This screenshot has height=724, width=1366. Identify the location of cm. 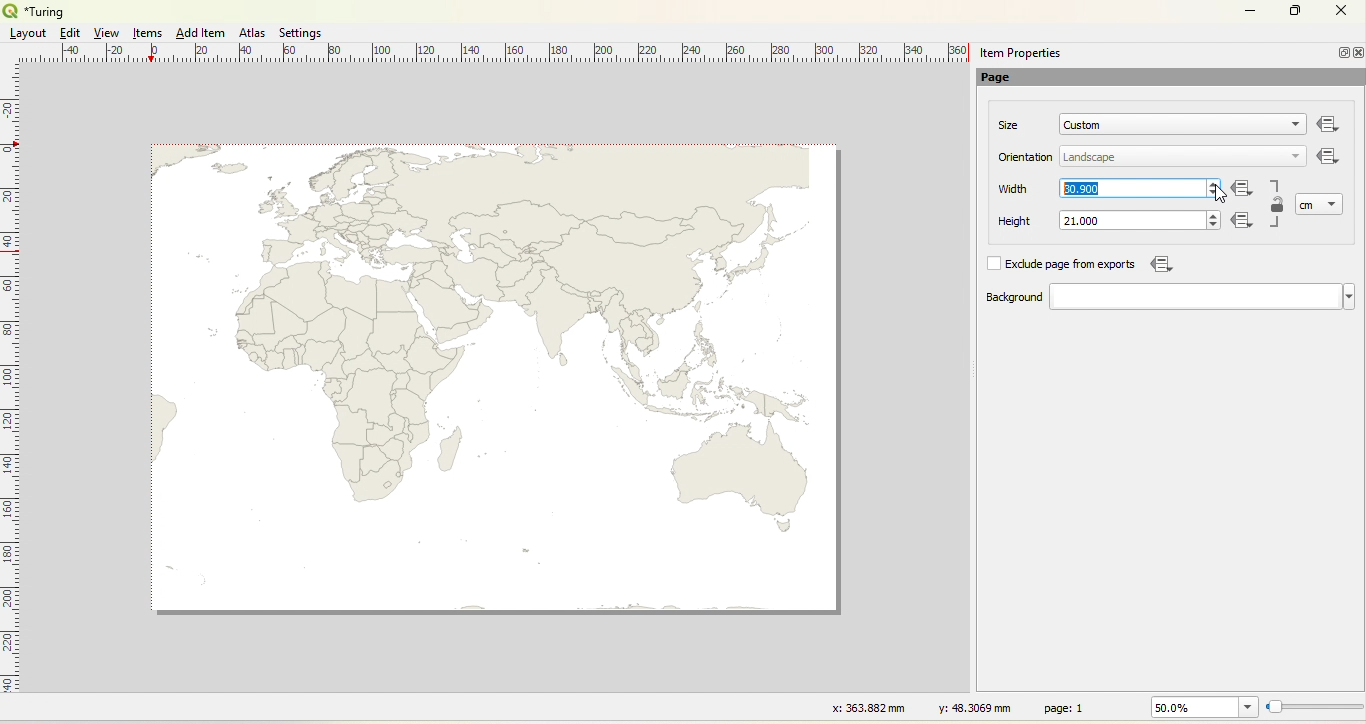
(1308, 205).